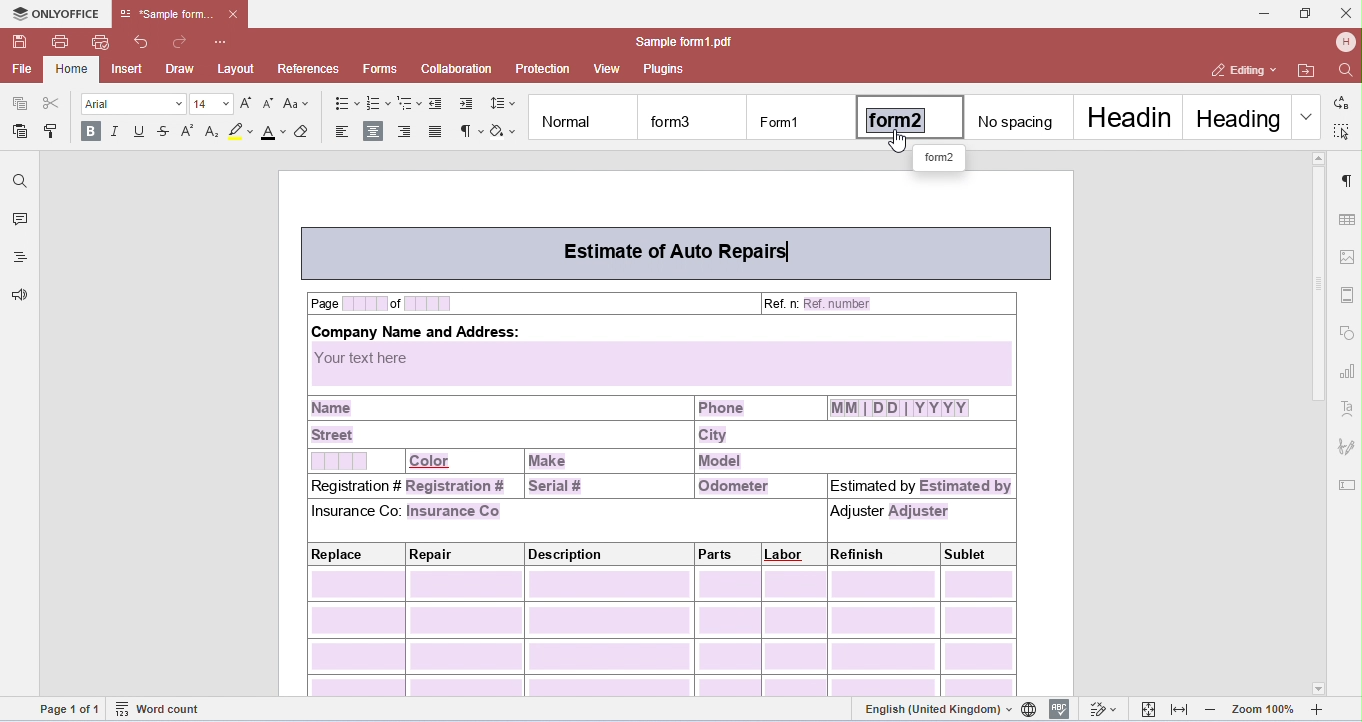 This screenshot has width=1362, height=722. I want to click on table settings, so click(1347, 219).